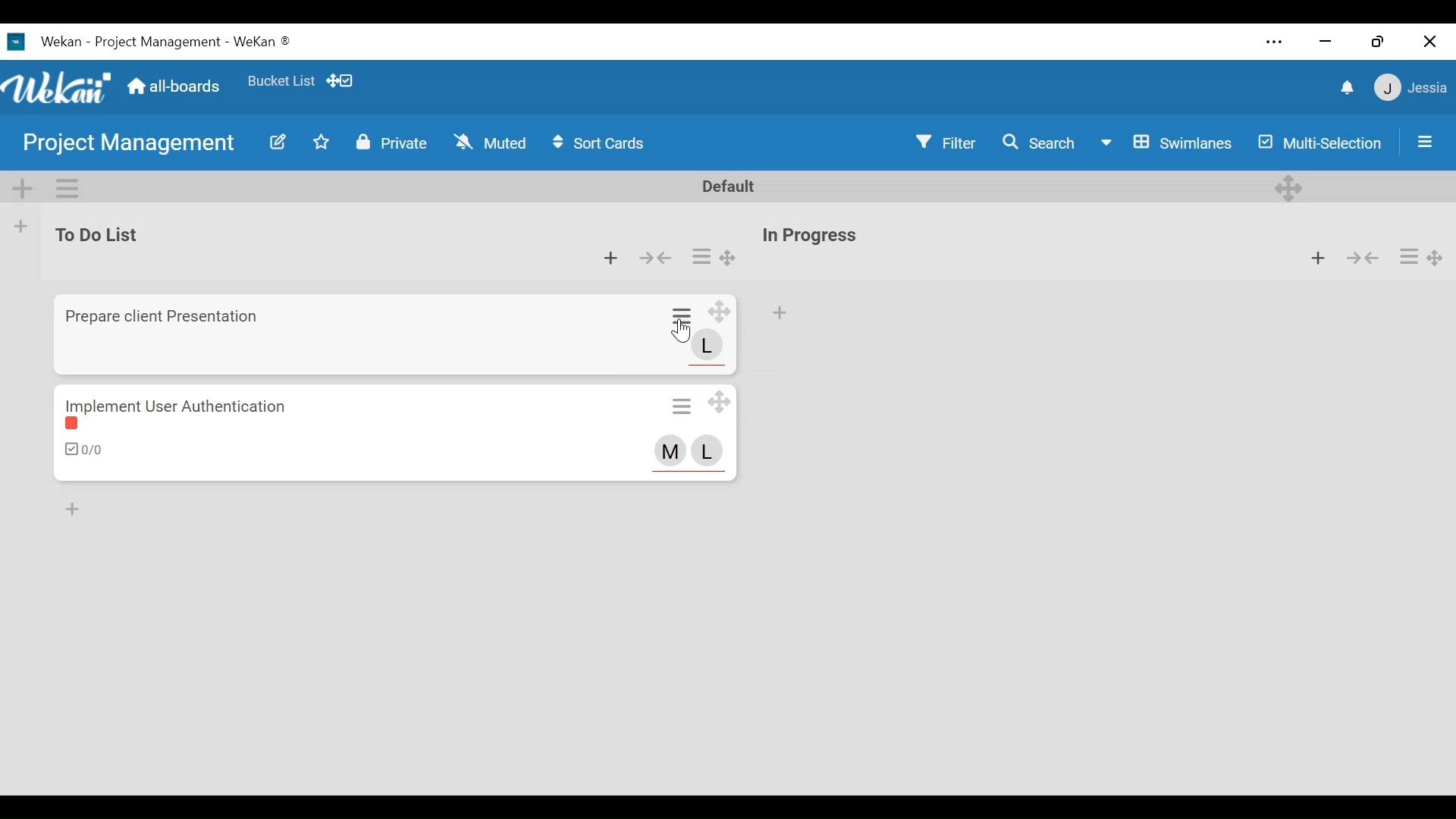  I want to click on Default, so click(730, 186).